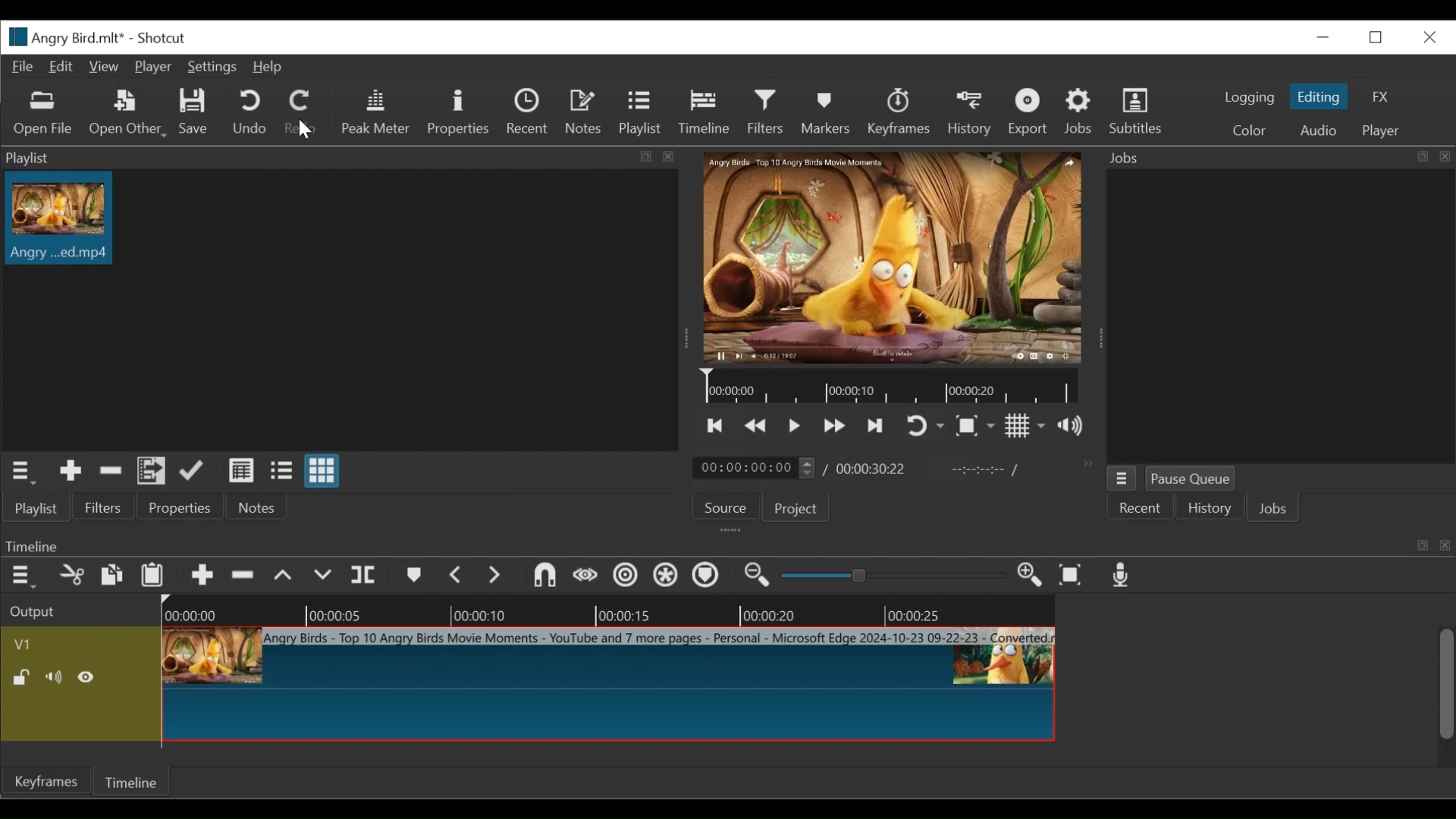 This screenshot has height=819, width=1456. What do you see at coordinates (22, 67) in the screenshot?
I see `File` at bounding box center [22, 67].